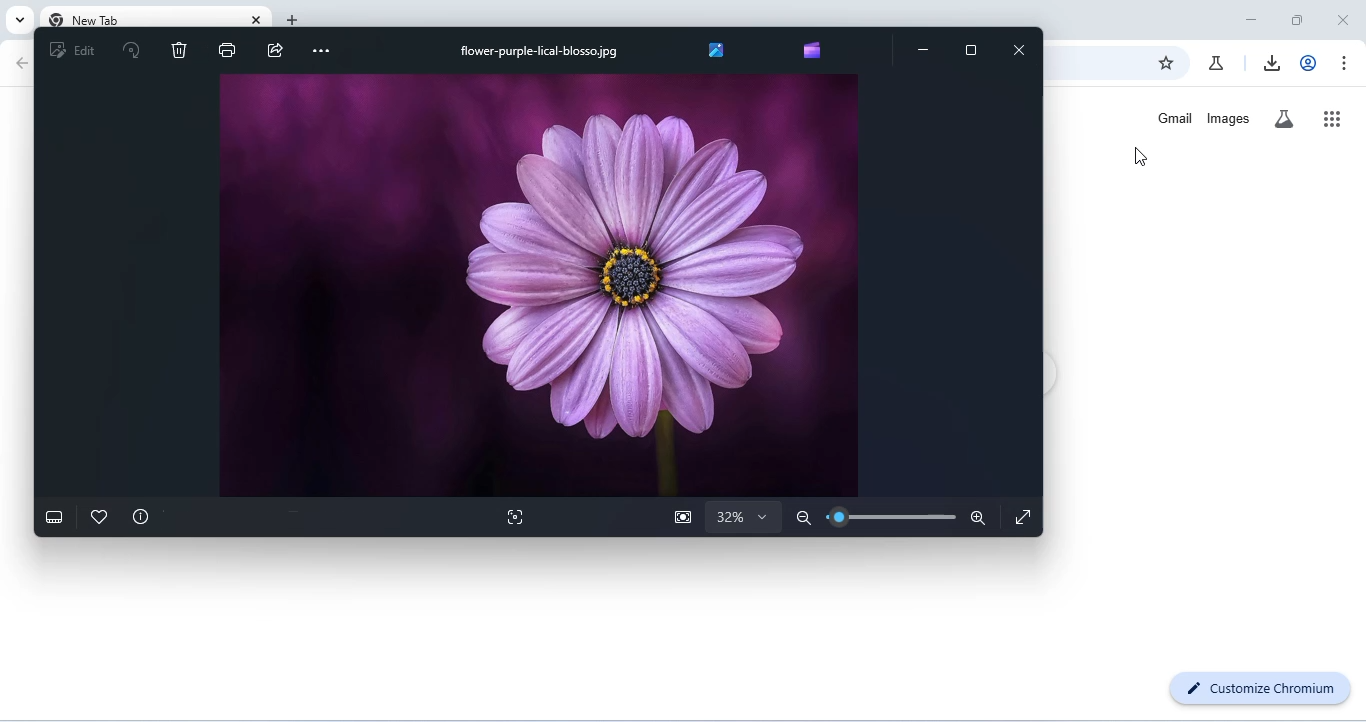 Image resolution: width=1366 pixels, height=722 pixels. Describe the element at coordinates (814, 50) in the screenshot. I see `create video with Microsoft clipchamp` at that location.